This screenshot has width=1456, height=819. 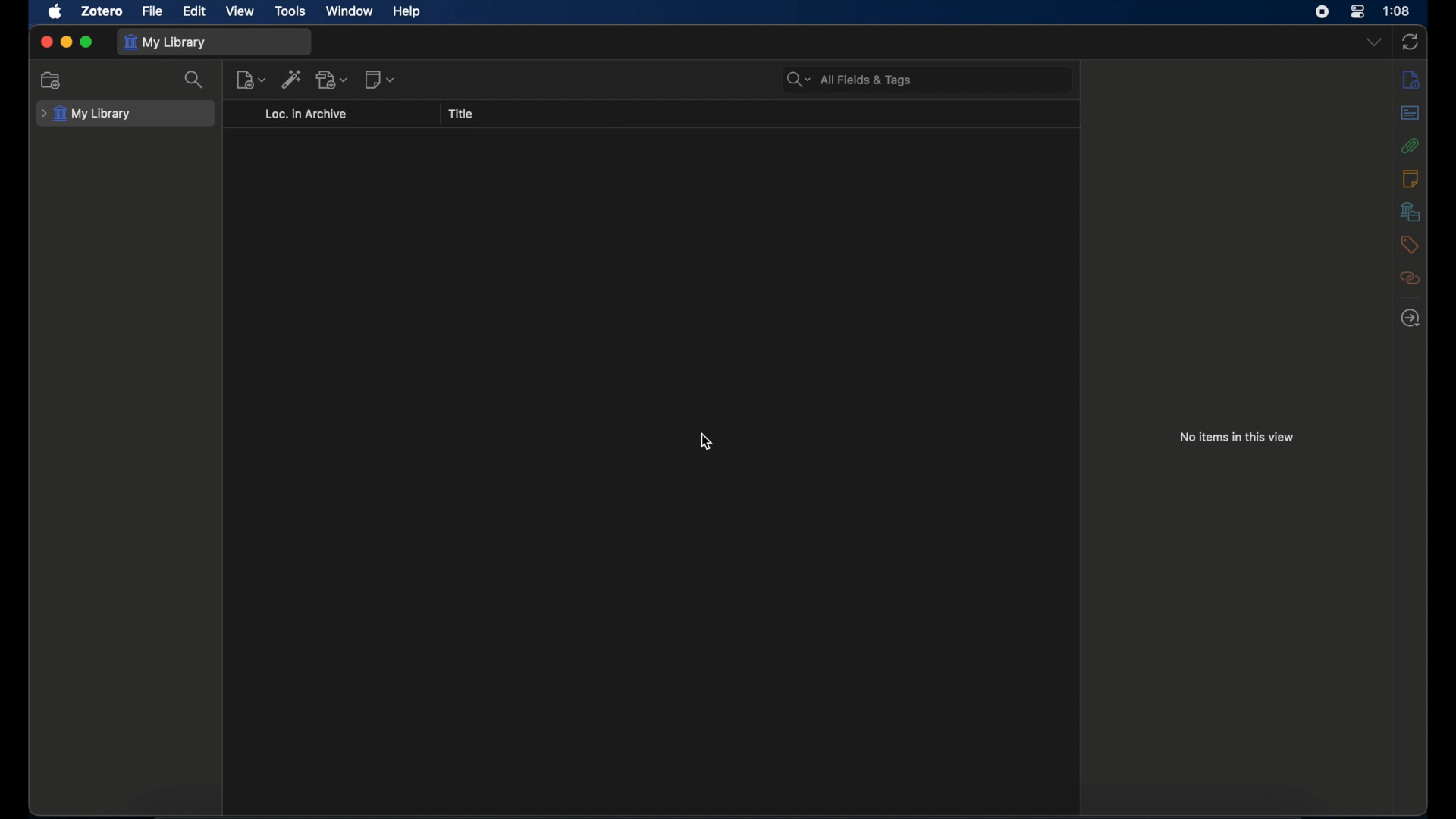 I want to click on notes, so click(x=1410, y=178).